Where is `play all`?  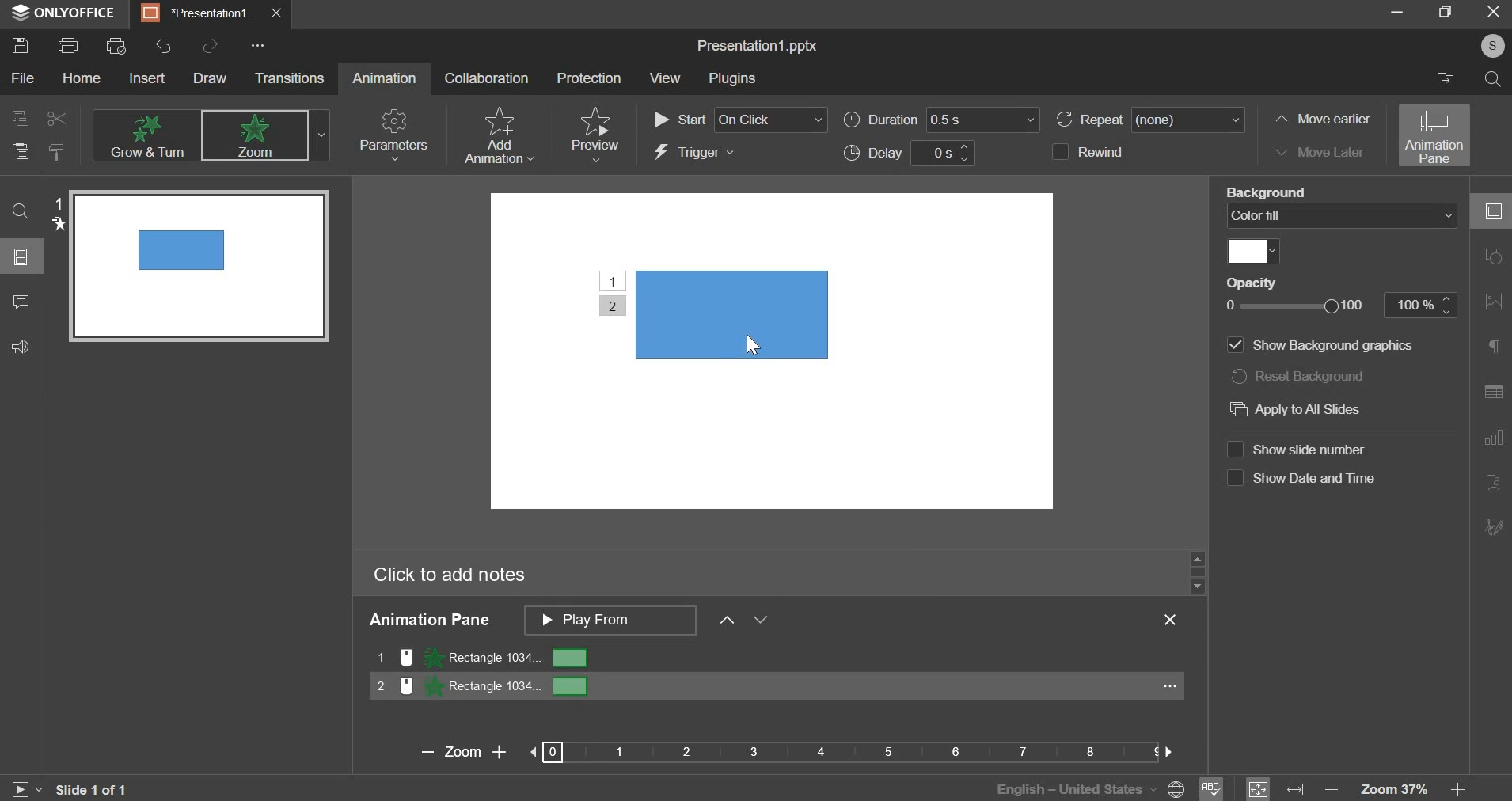
play all is located at coordinates (610, 620).